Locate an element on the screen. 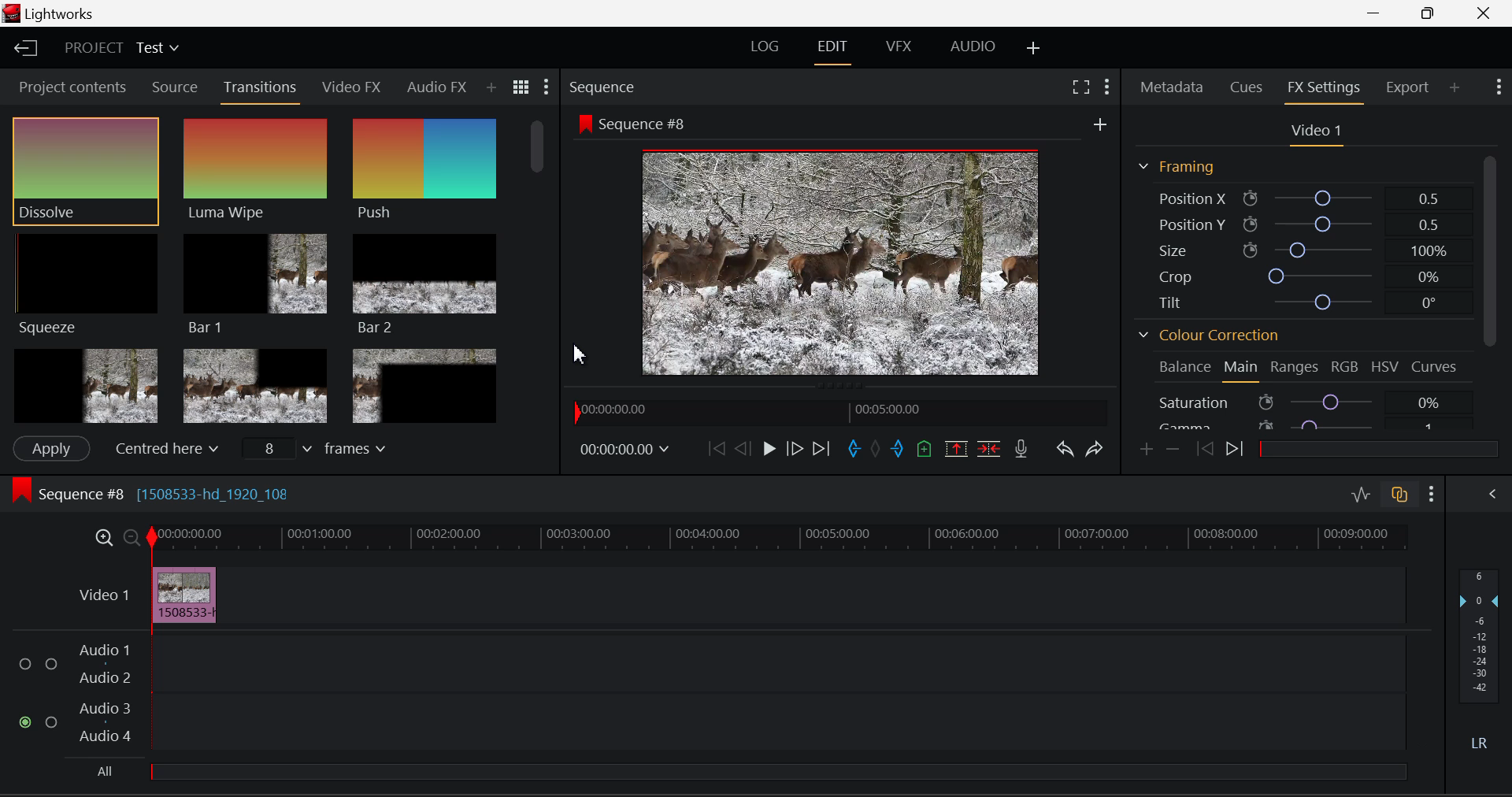  Box 2 is located at coordinates (255, 385).